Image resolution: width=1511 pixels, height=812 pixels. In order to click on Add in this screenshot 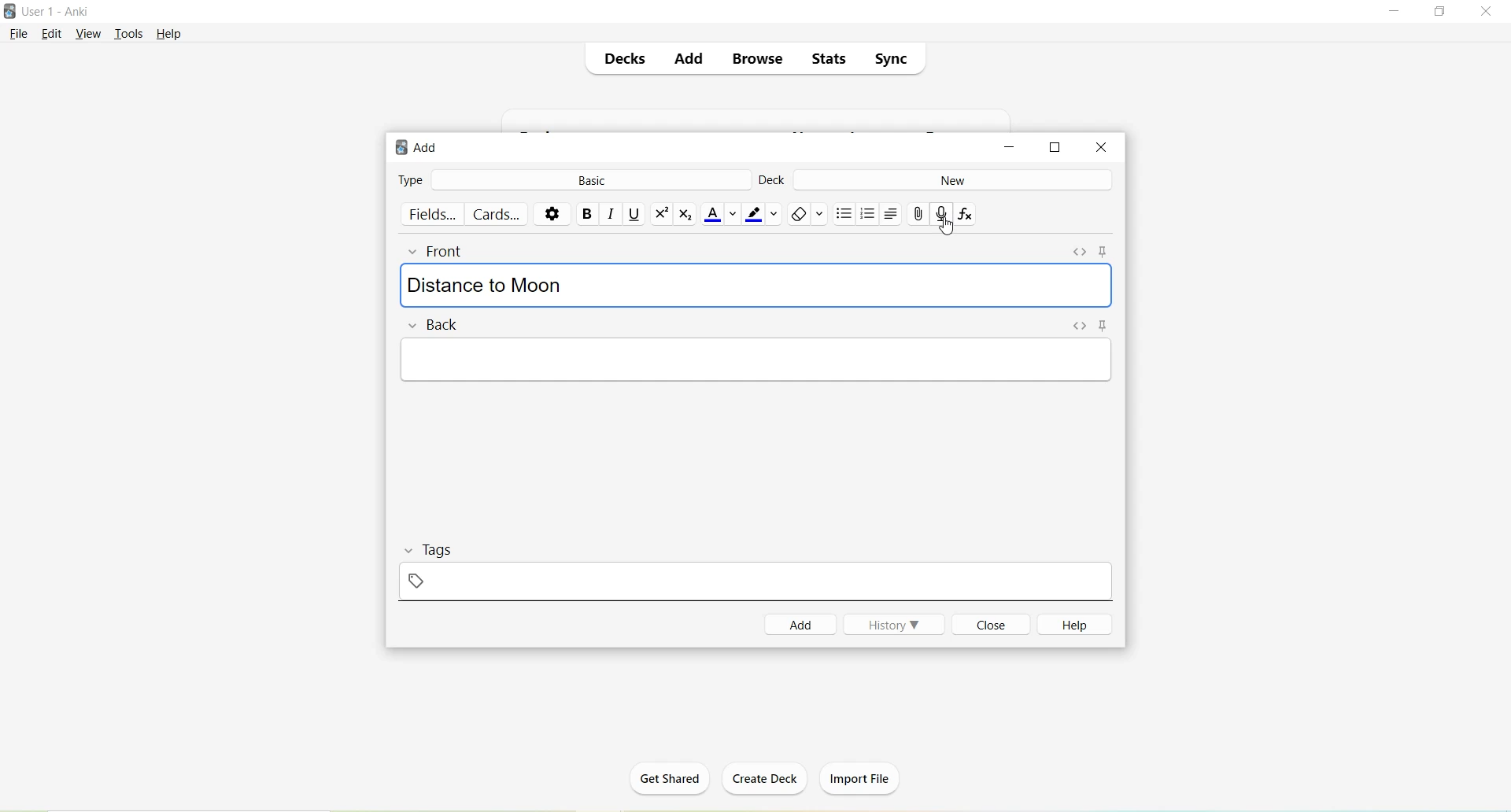, I will do `click(686, 60)`.